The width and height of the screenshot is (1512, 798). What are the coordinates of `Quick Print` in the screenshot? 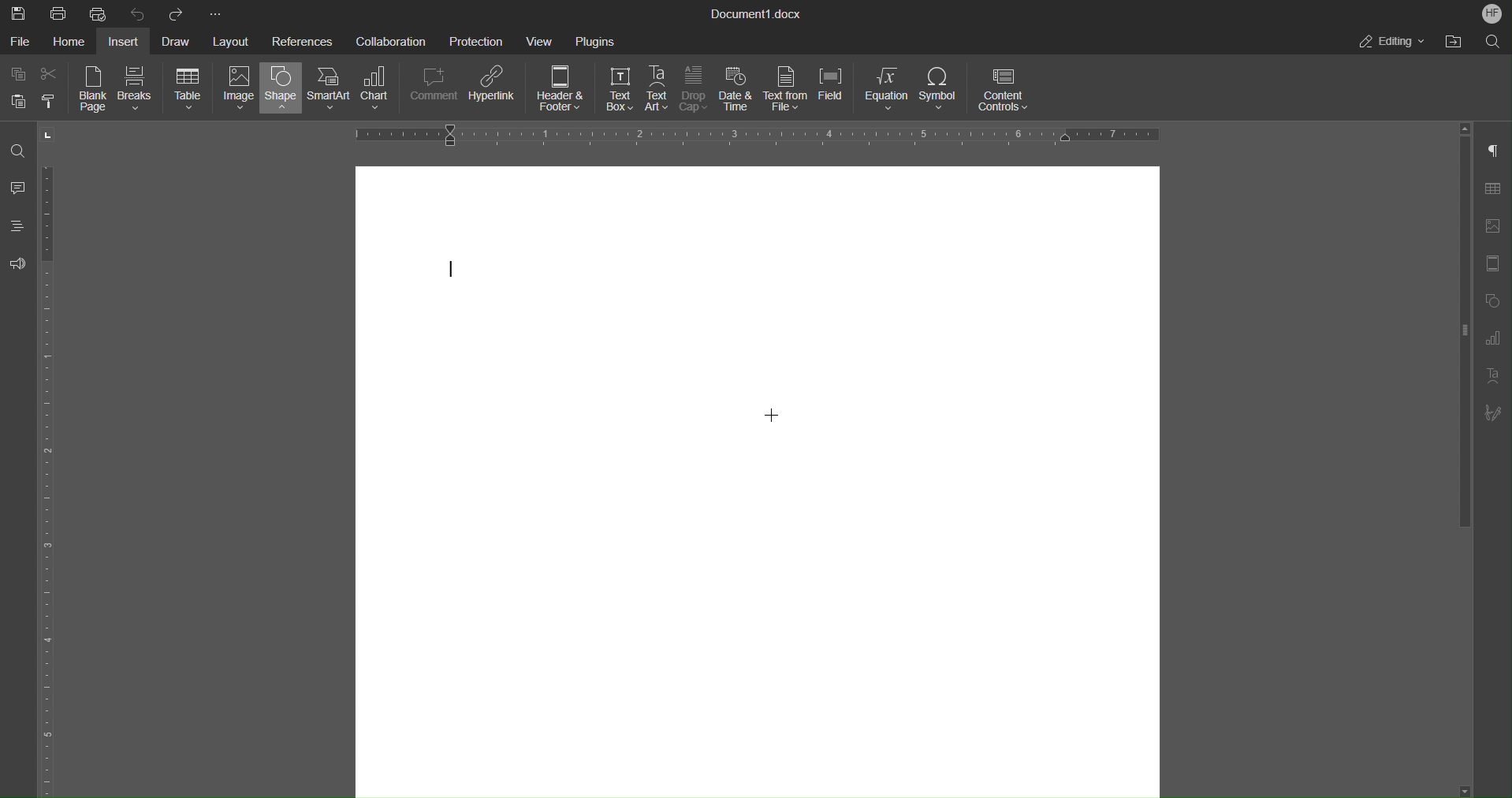 It's located at (99, 13).